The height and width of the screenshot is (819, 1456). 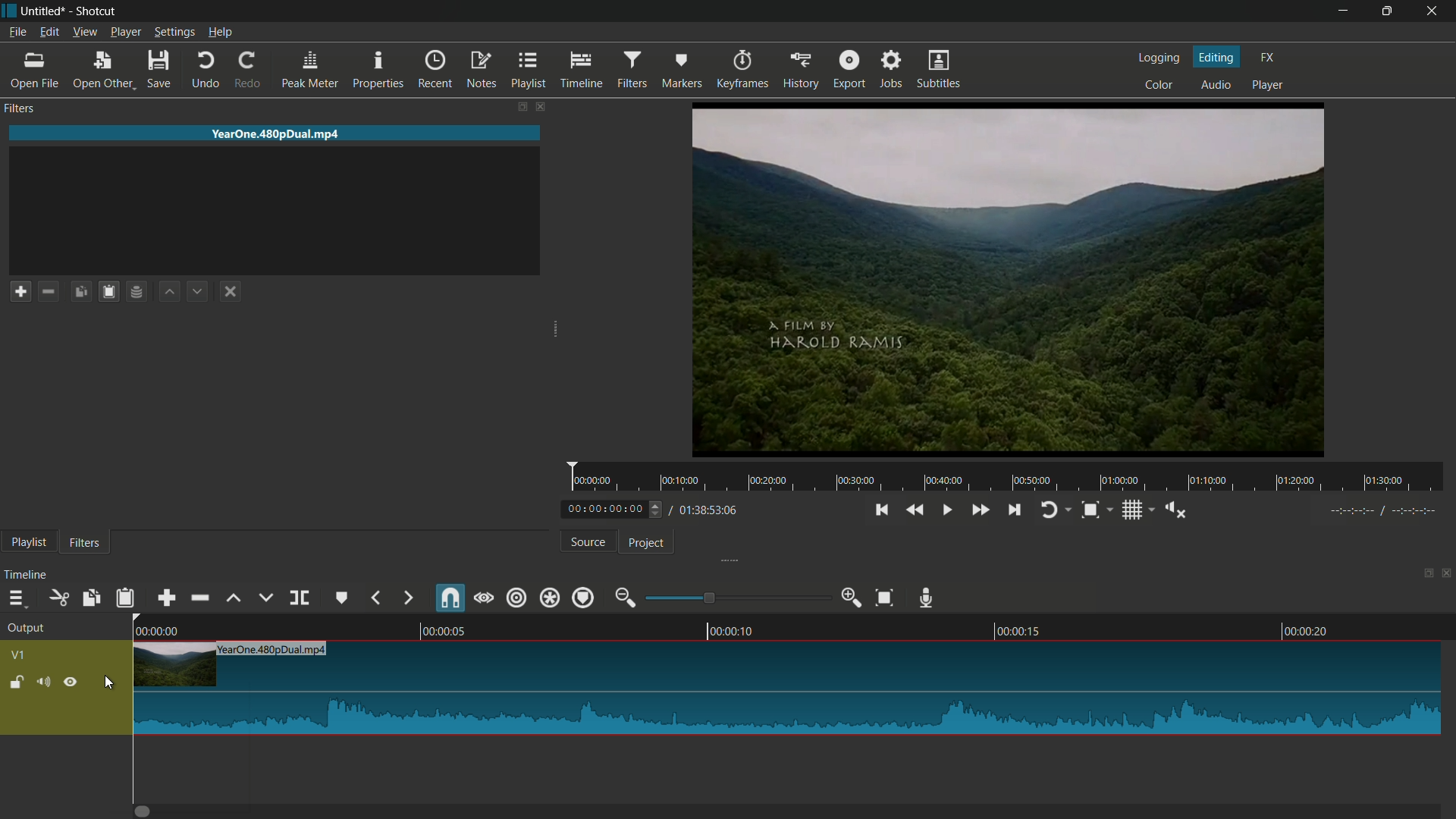 I want to click on properties, so click(x=380, y=71).